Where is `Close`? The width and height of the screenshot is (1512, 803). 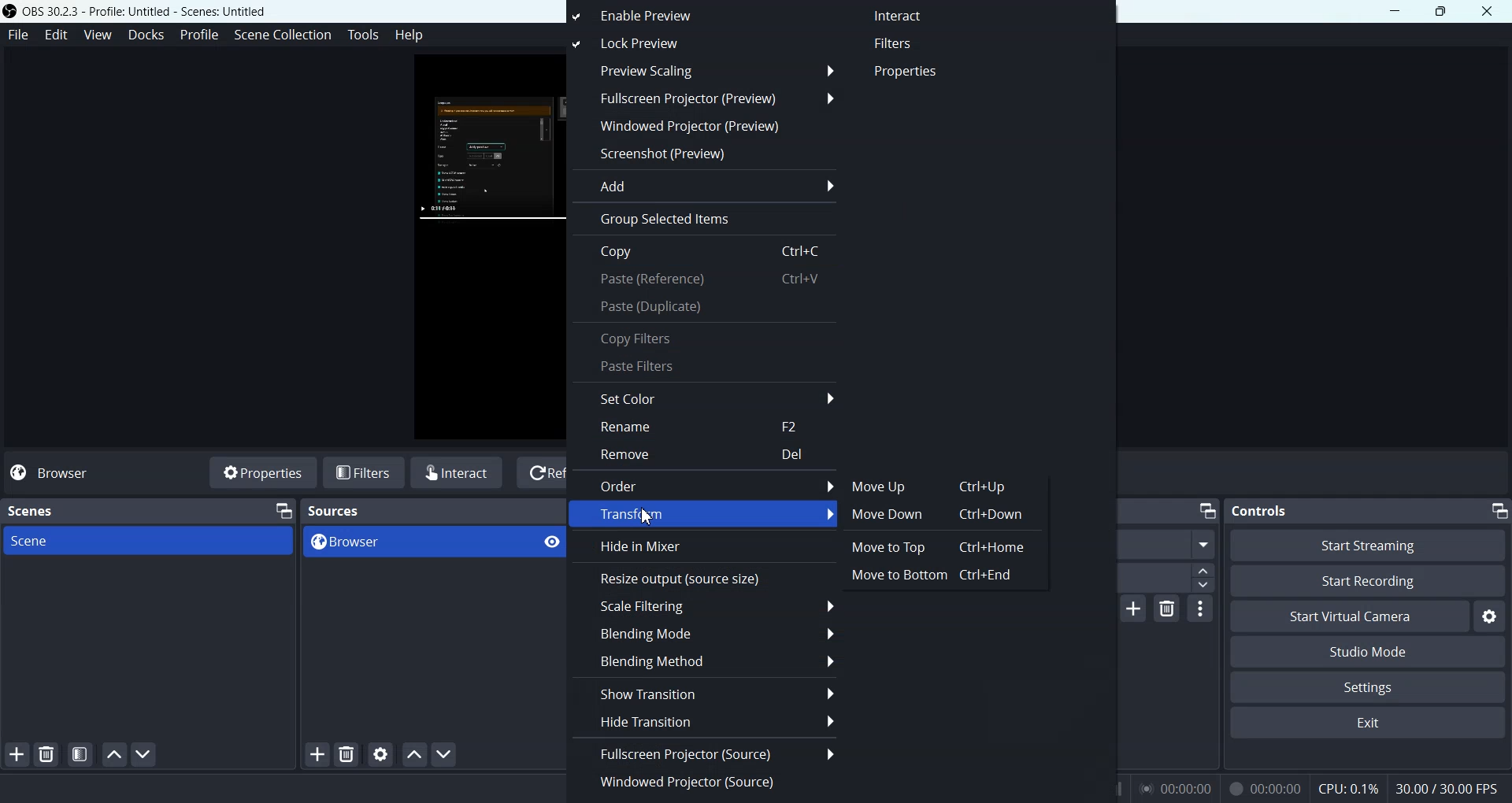
Close is located at coordinates (1488, 10).